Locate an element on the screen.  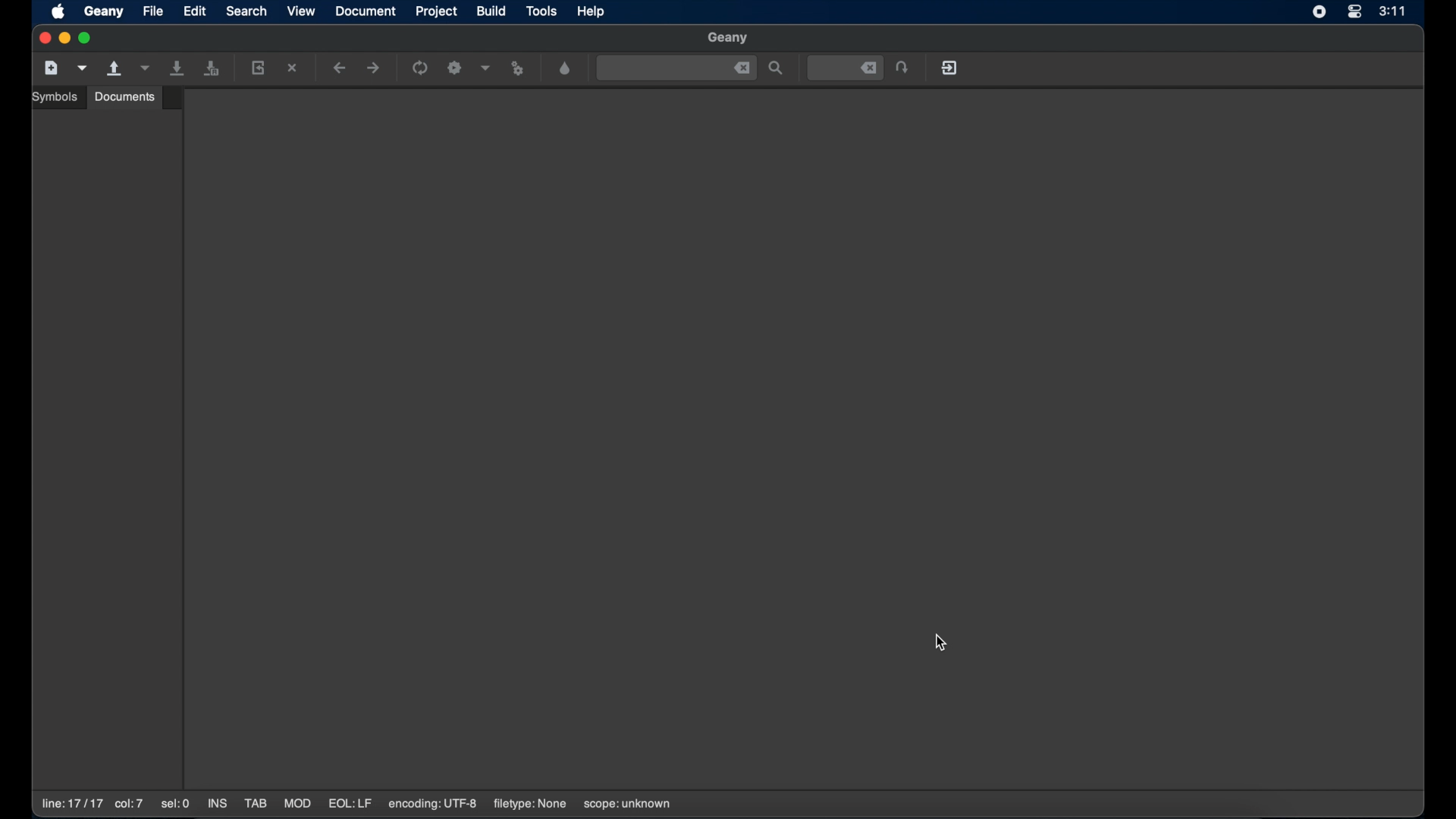
geany is located at coordinates (104, 12).